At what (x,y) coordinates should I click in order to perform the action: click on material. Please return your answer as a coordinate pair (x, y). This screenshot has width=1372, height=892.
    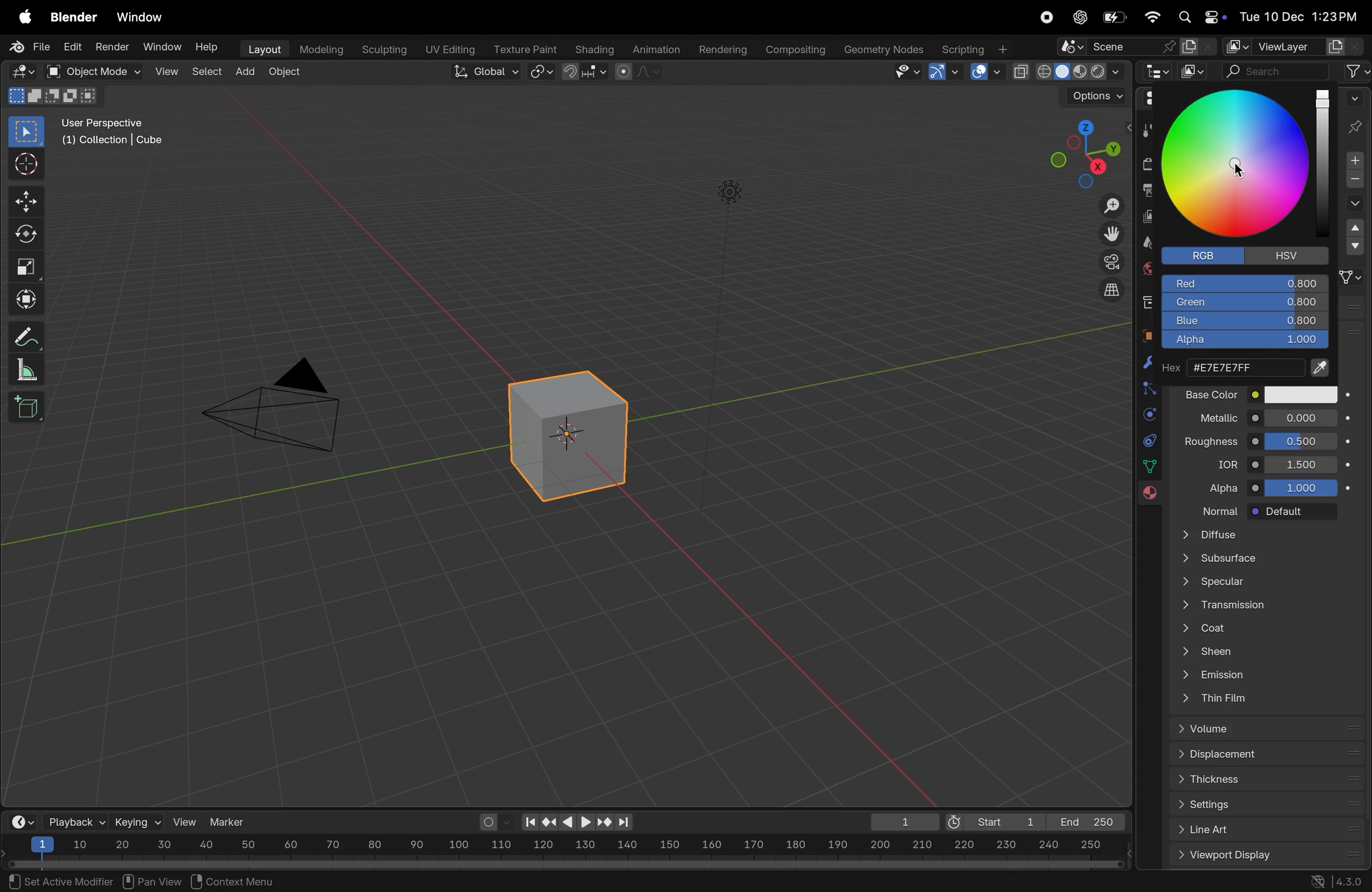
    Looking at the image, I should click on (1146, 495).